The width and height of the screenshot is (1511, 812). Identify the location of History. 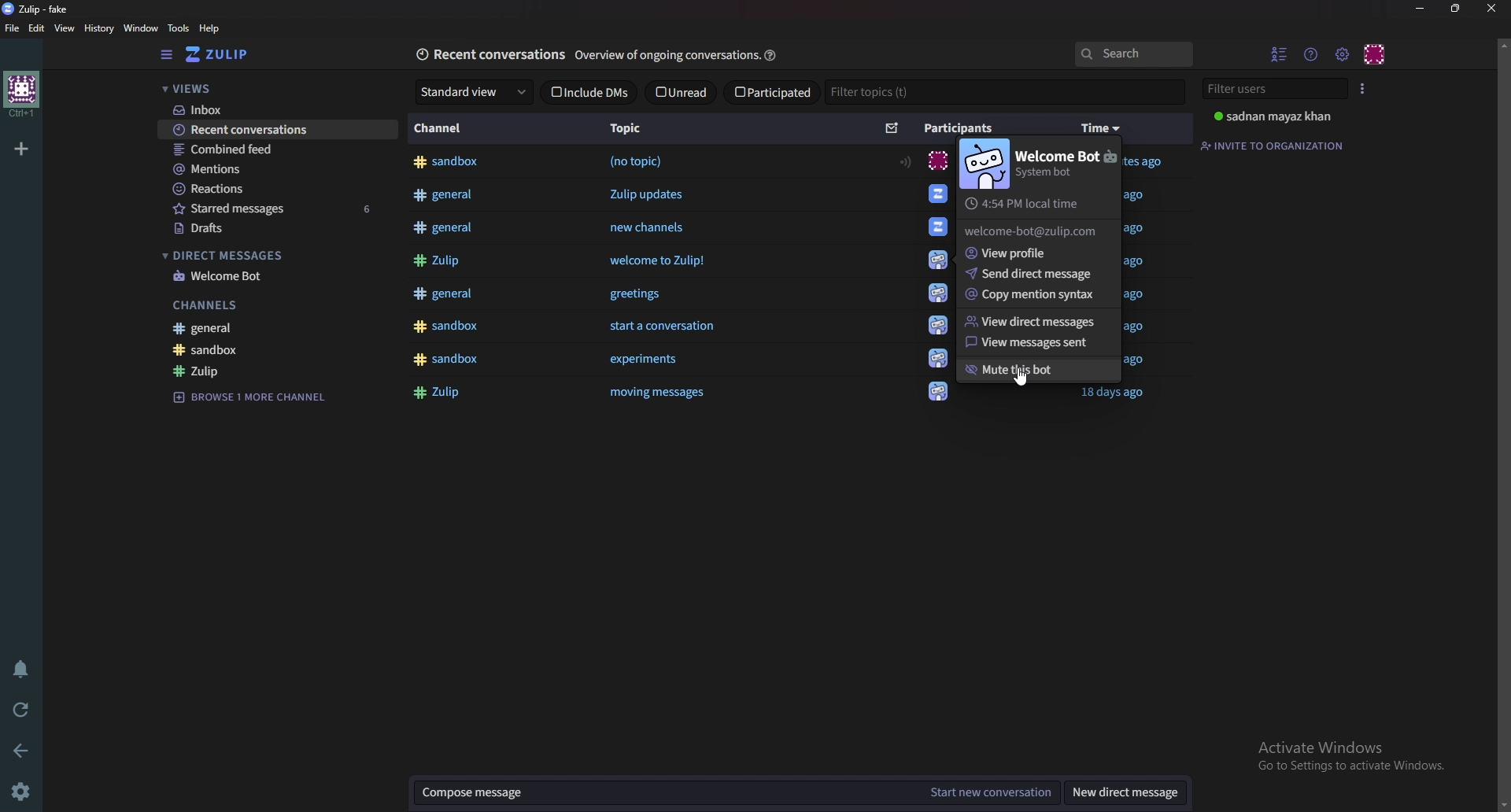
(101, 28).